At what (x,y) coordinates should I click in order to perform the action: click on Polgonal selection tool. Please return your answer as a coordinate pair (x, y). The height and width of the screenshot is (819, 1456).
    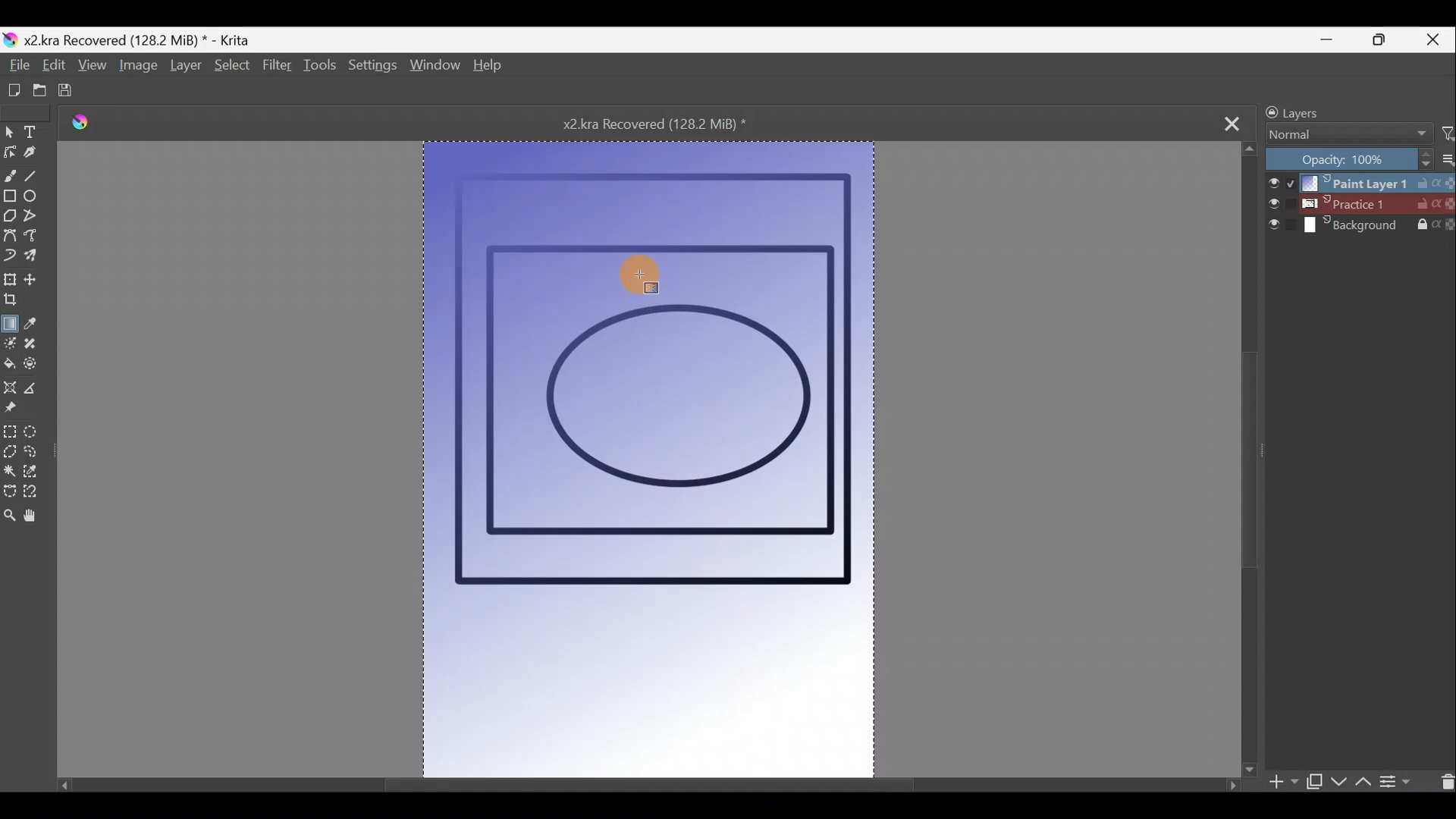
    Looking at the image, I should click on (9, 453).